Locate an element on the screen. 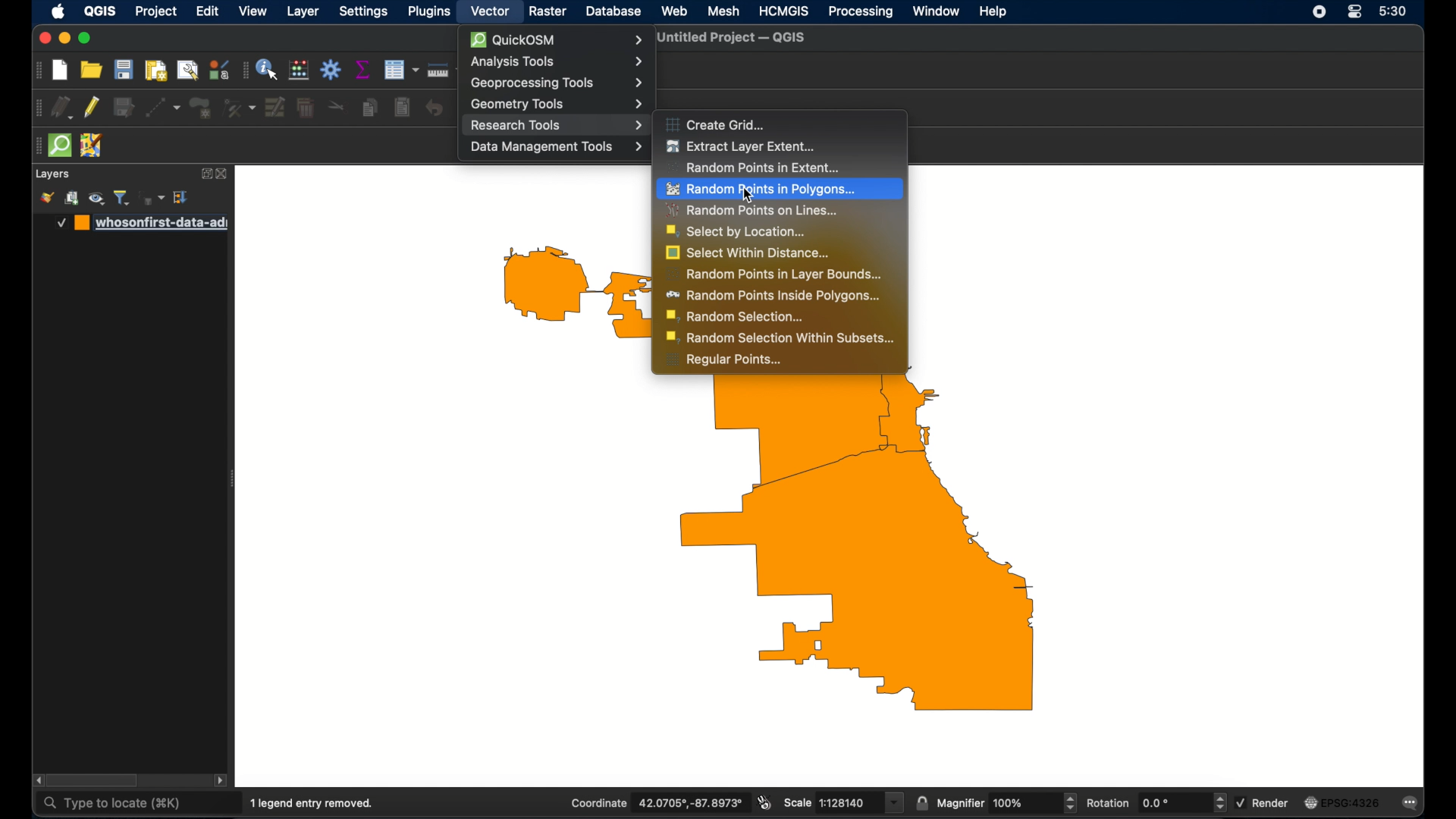 The height and width of the screenshot is (819, 1456). control center is located at coordinates (1354, 12).